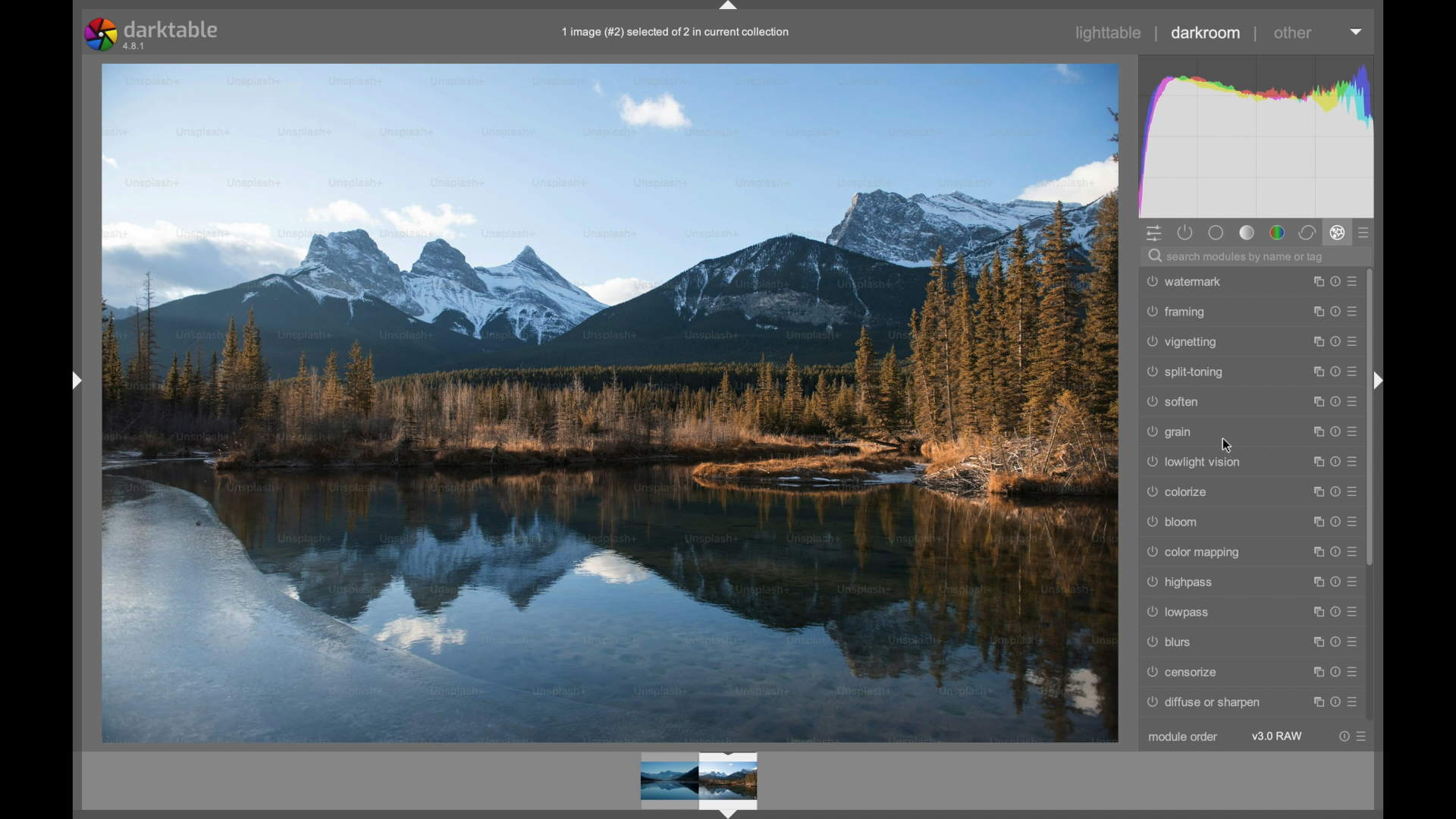 The height and width of the screenshot is (819, 1456). I want to click on reset parameters, so click(1335, 341).